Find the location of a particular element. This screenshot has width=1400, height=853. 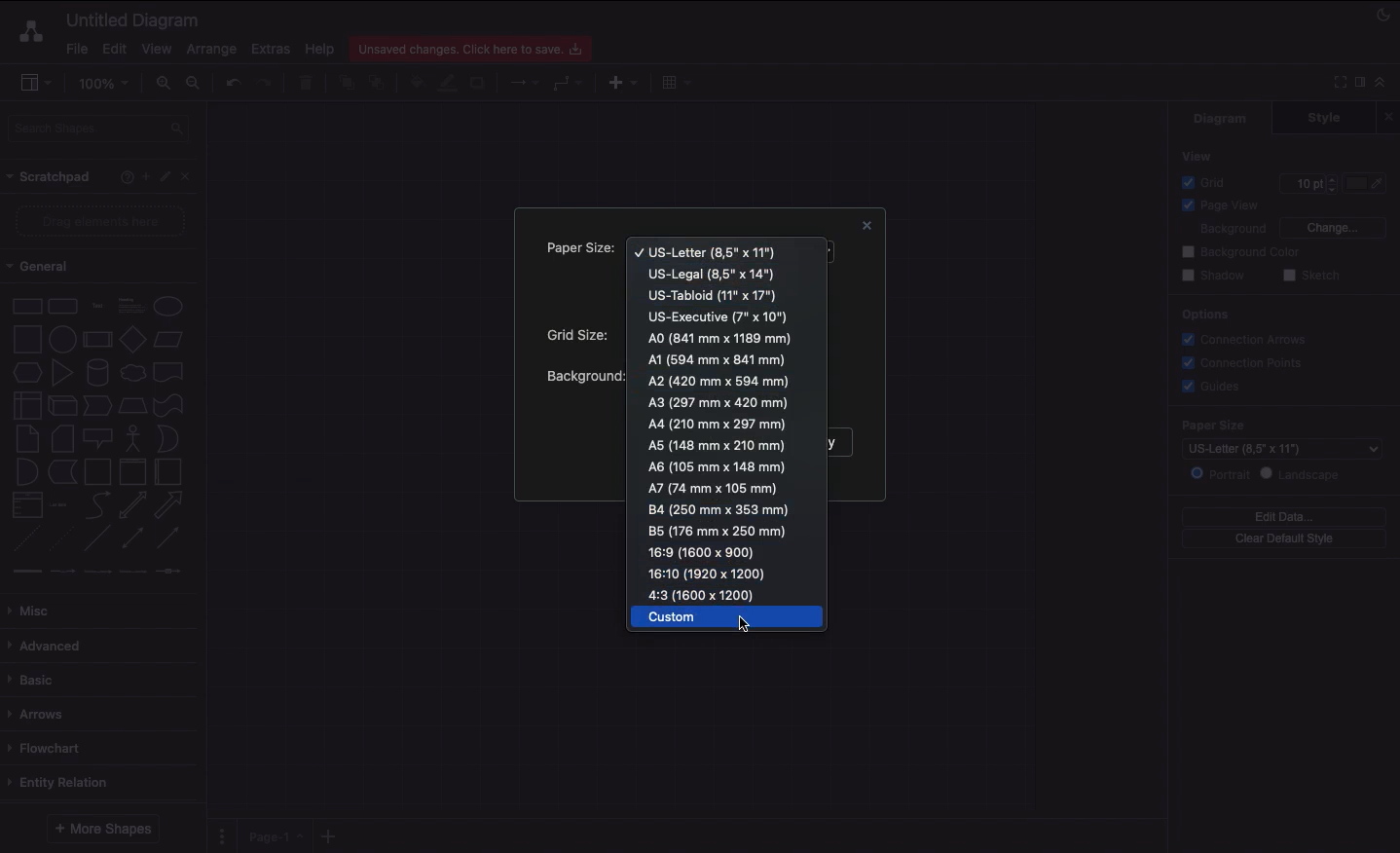

Dotted line is located at coordinates (61, 540).